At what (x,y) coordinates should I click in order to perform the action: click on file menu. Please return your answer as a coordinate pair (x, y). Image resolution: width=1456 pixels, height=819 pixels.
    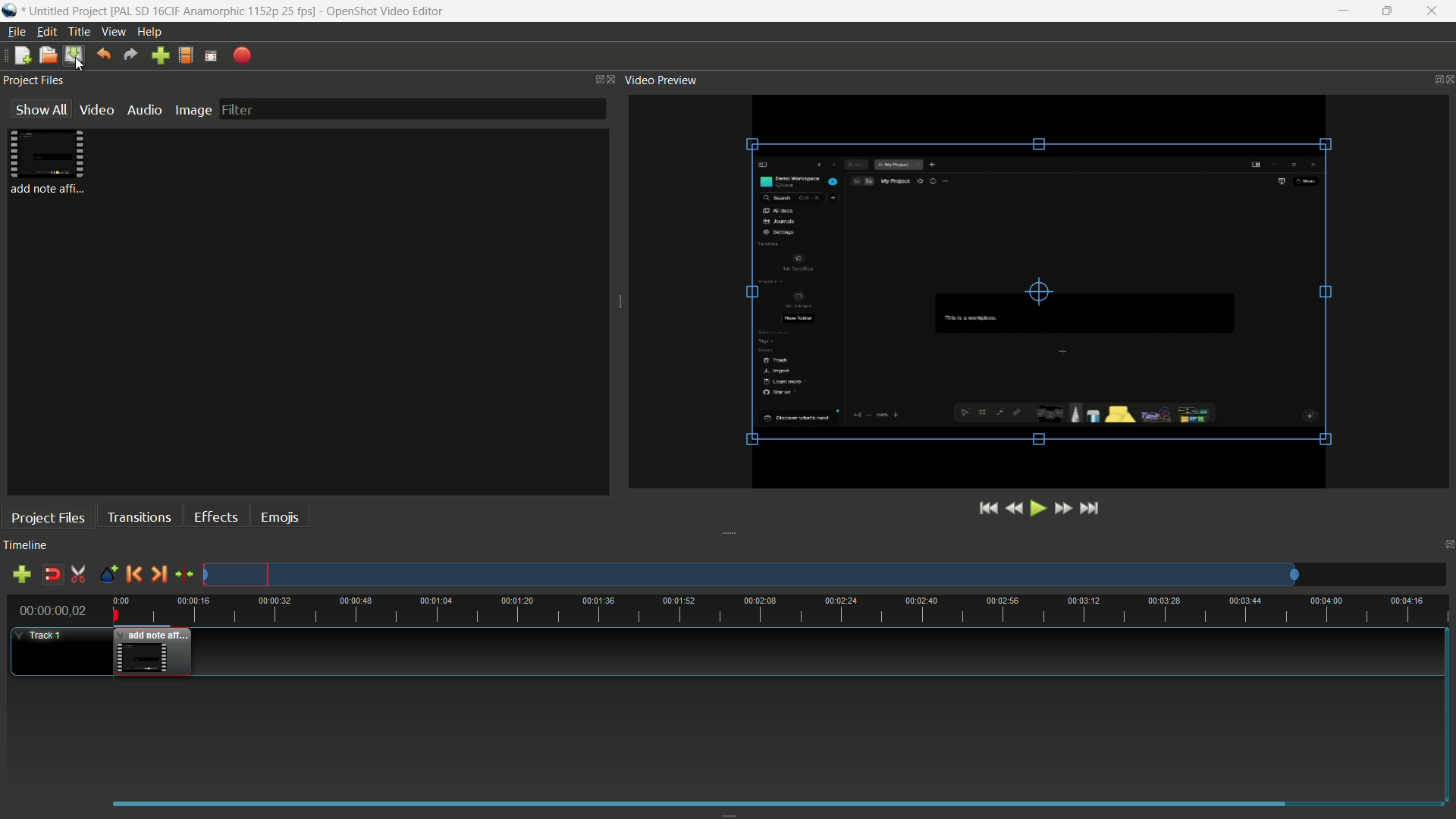
    Looking at the image, I should click on (17, 33).